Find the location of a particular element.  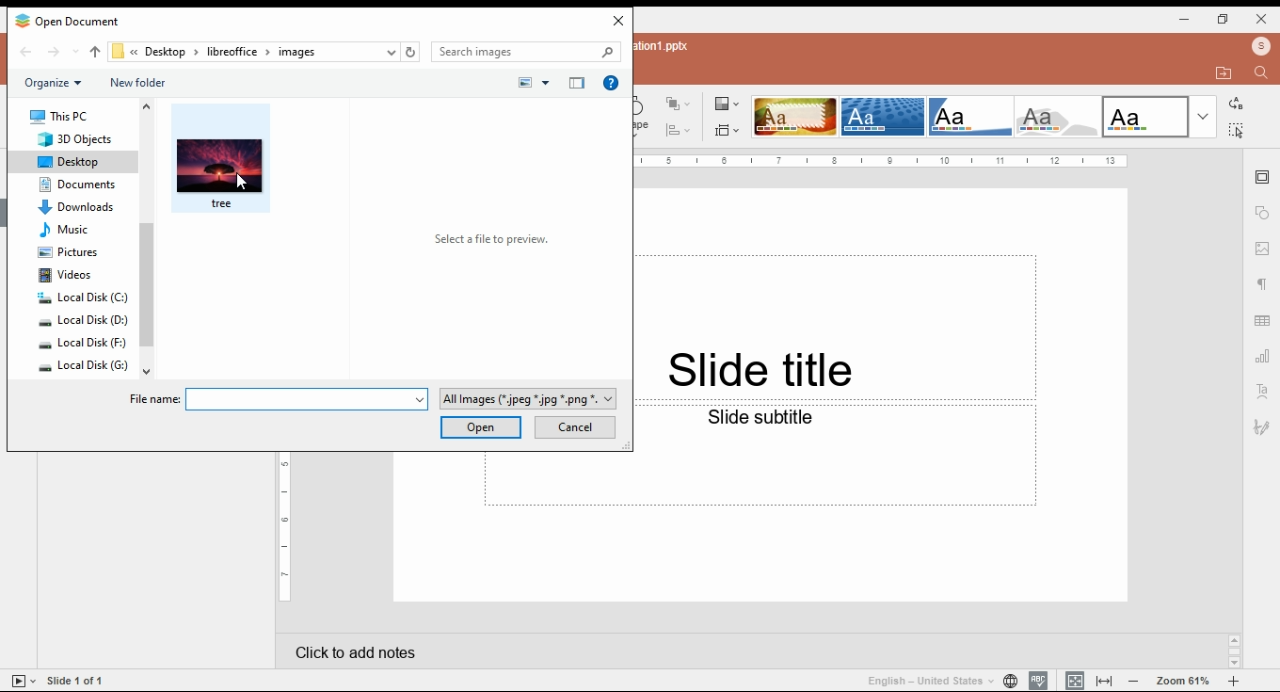

fit to width is located at coordinates (1105, 680).